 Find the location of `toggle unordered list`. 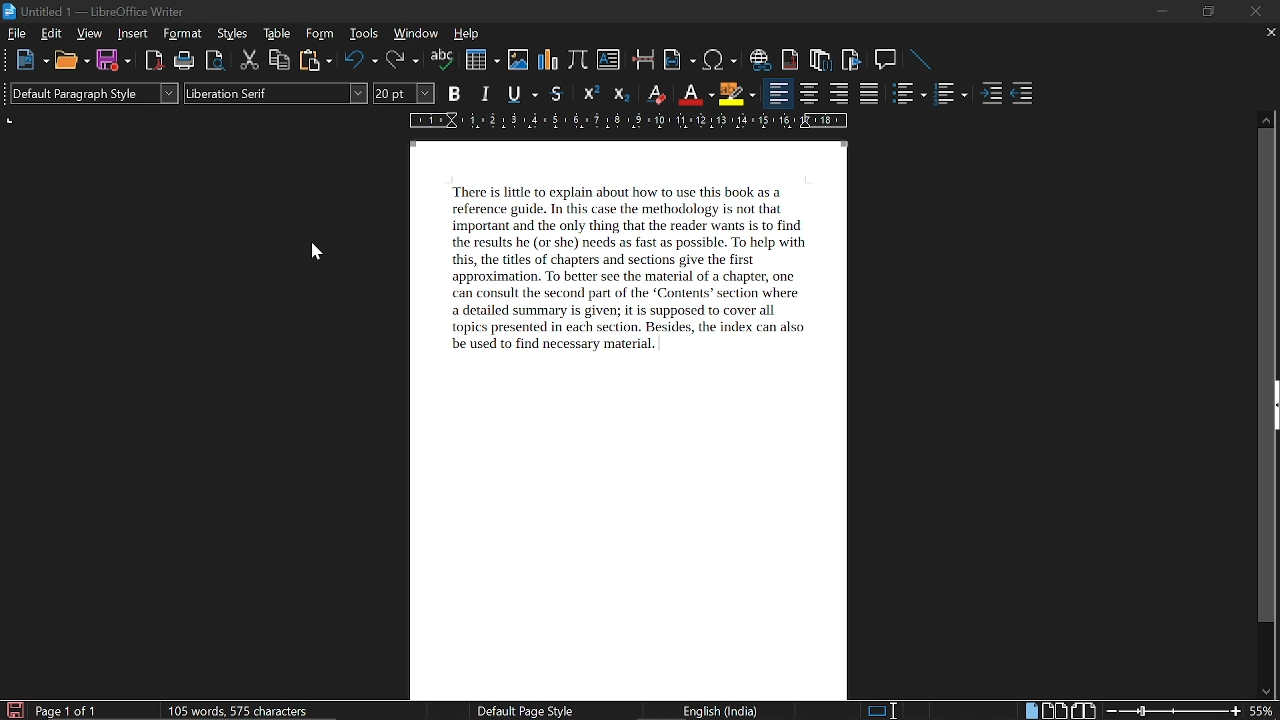

toggle unordered list is located at coordinates (950, 94).